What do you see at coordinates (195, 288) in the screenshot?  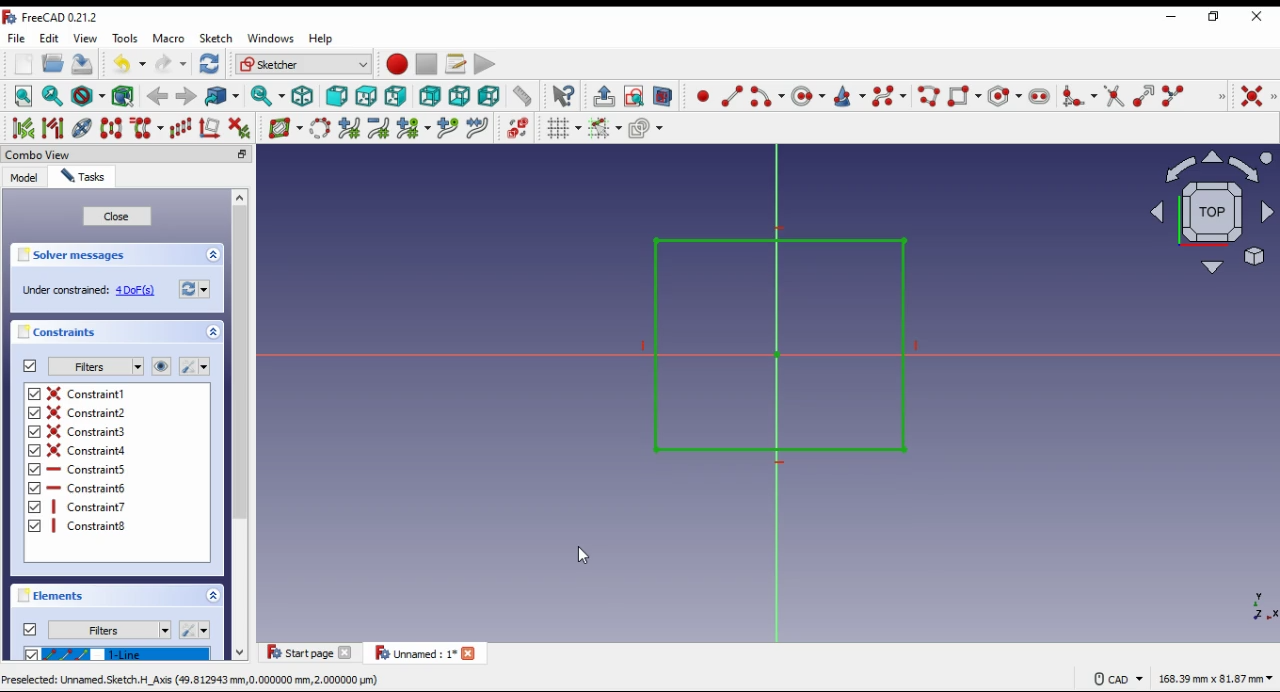 I see `refresh` at bounding box center [195, 288].